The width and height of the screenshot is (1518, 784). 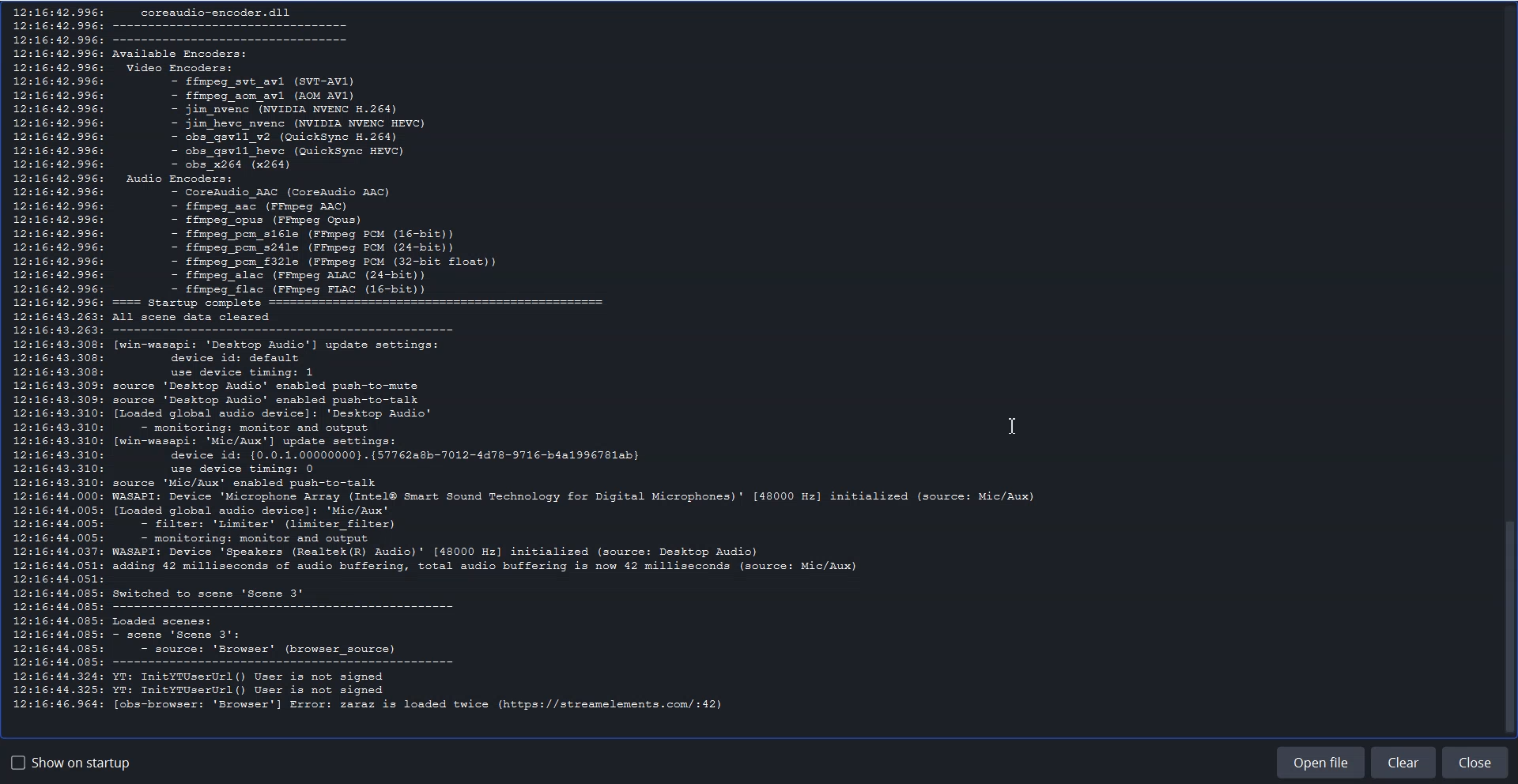 I want to click on Time stamps, so click(x=54, y=364).